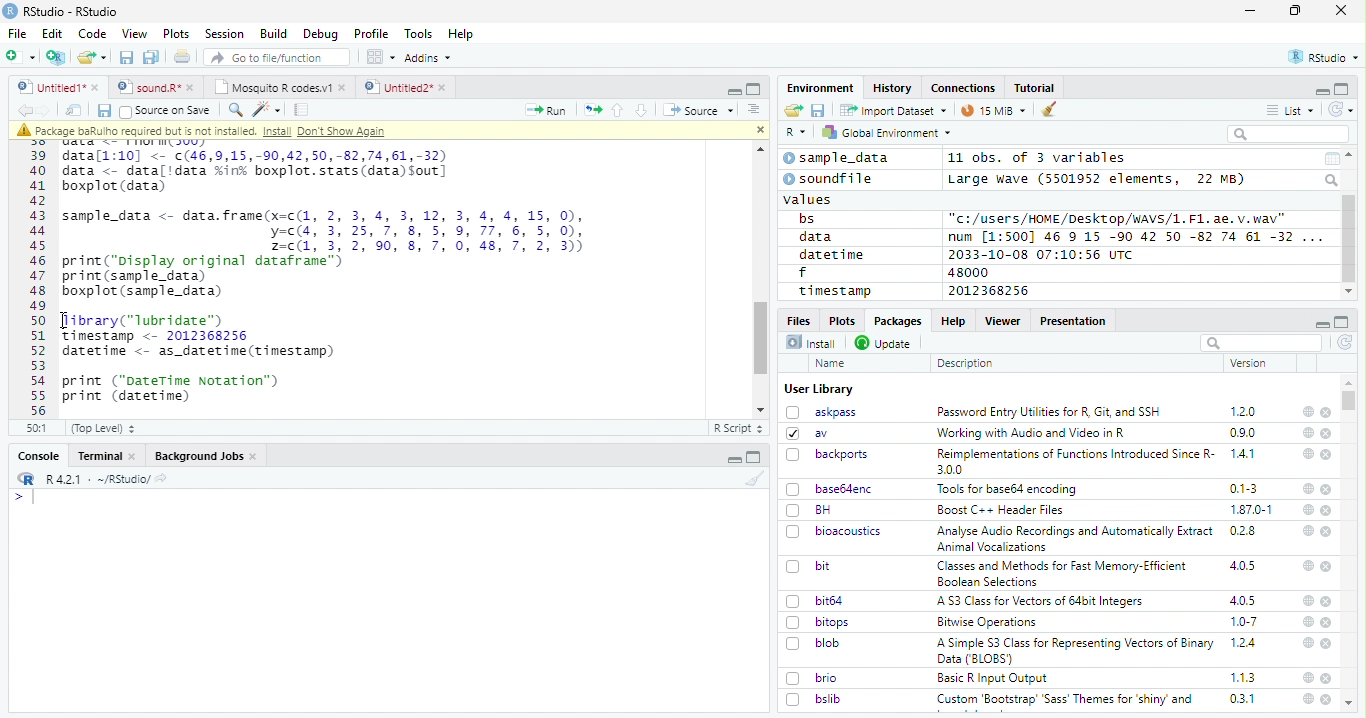 The height and width of the screenshot is (718, 1366). What do you see at coordinates (1065, 702) in the screenshot?
I see `Custom ‘Bootstrap’ ‘Sass’ Themes for ‘shiny’ and` at bounding box center [1065, 702].